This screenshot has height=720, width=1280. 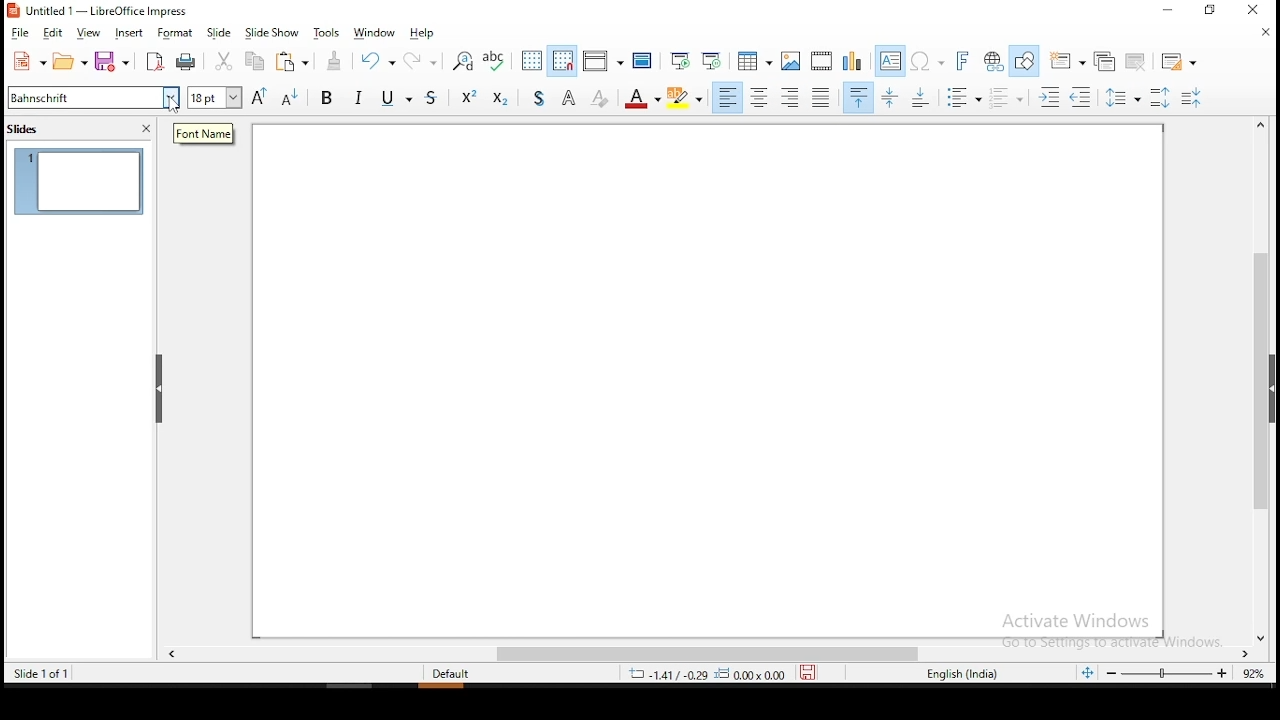 What do you see at coordinates (328, 97) in the screenshot?
I see `bold` at bounding box center [328, 97].